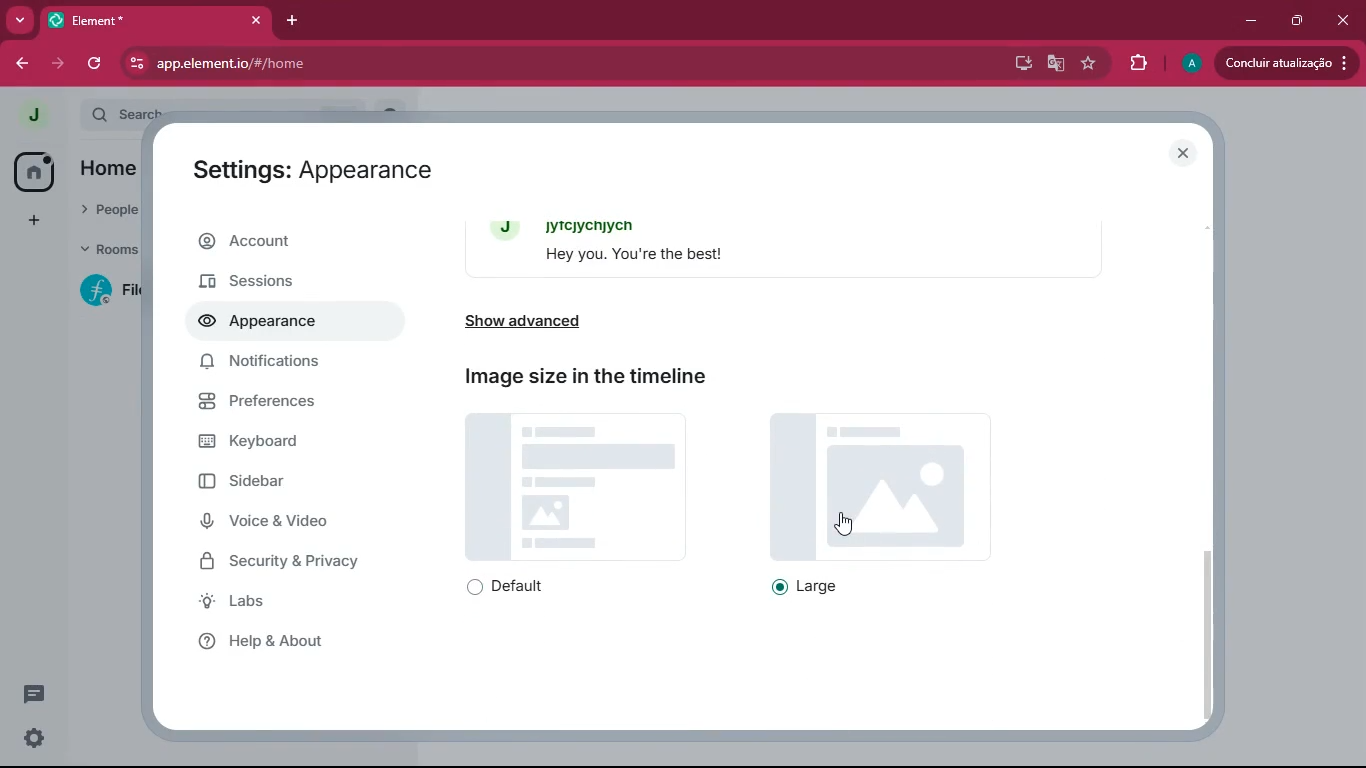 Image resolution: width=1366 pixels, height=768 pixels. Describe the element at coordinates (518, 588) in the screenshot. I see `default` at that location.